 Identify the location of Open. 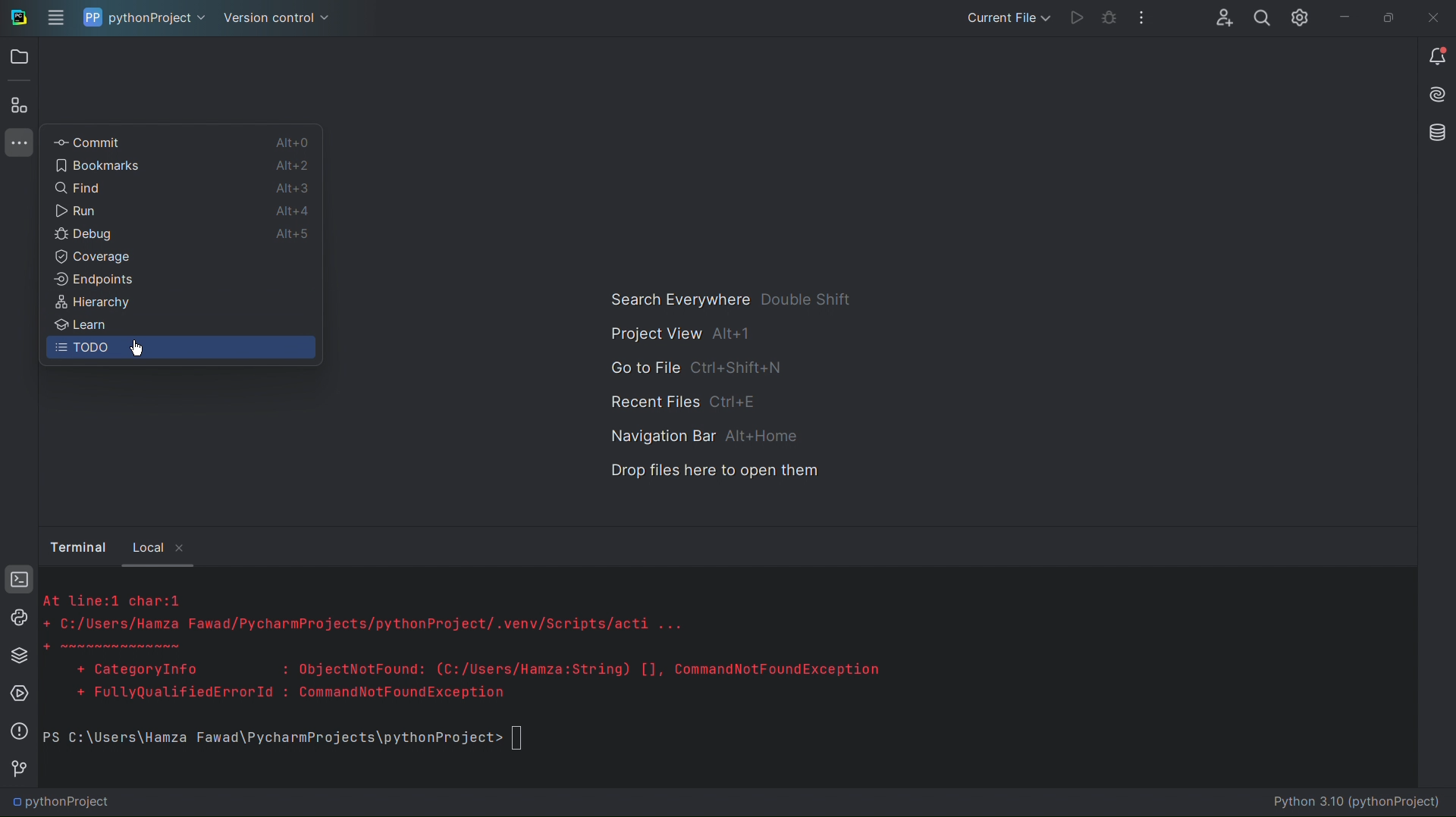
(20, 58).